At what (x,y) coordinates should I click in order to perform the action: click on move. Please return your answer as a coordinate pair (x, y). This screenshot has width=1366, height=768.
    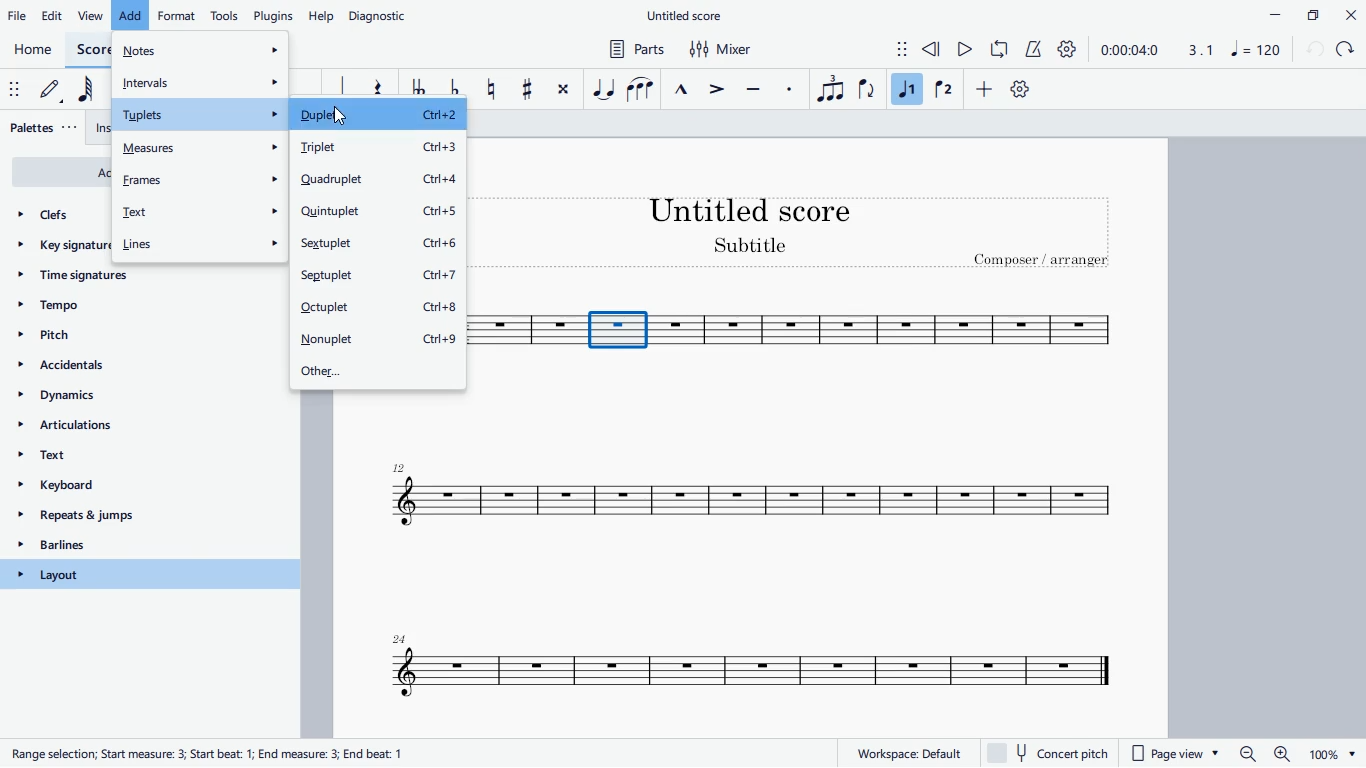
    Looking at the image, I should click on (890, 47).